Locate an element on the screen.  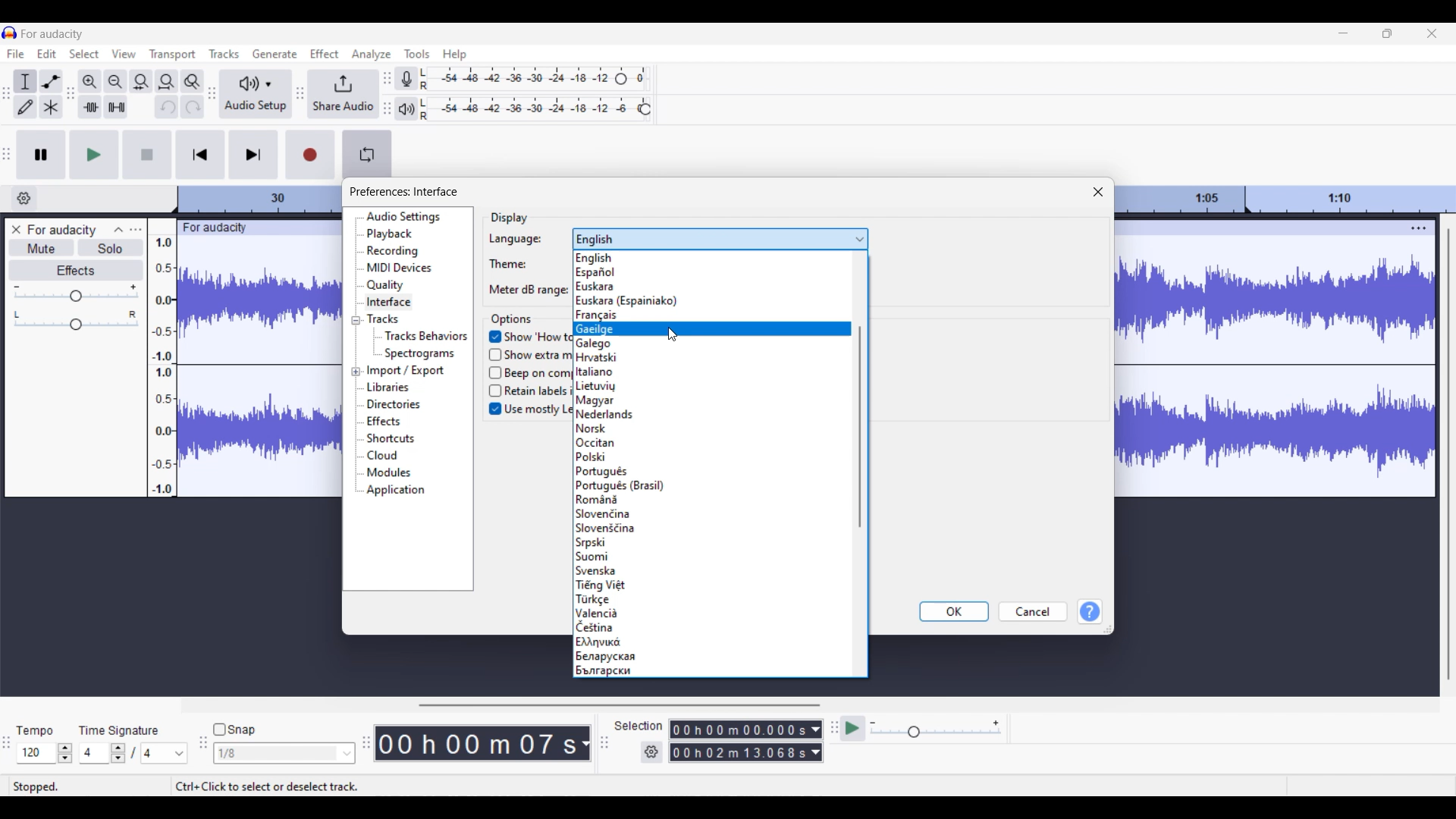
Help menu is located at coordinates (455, 55).